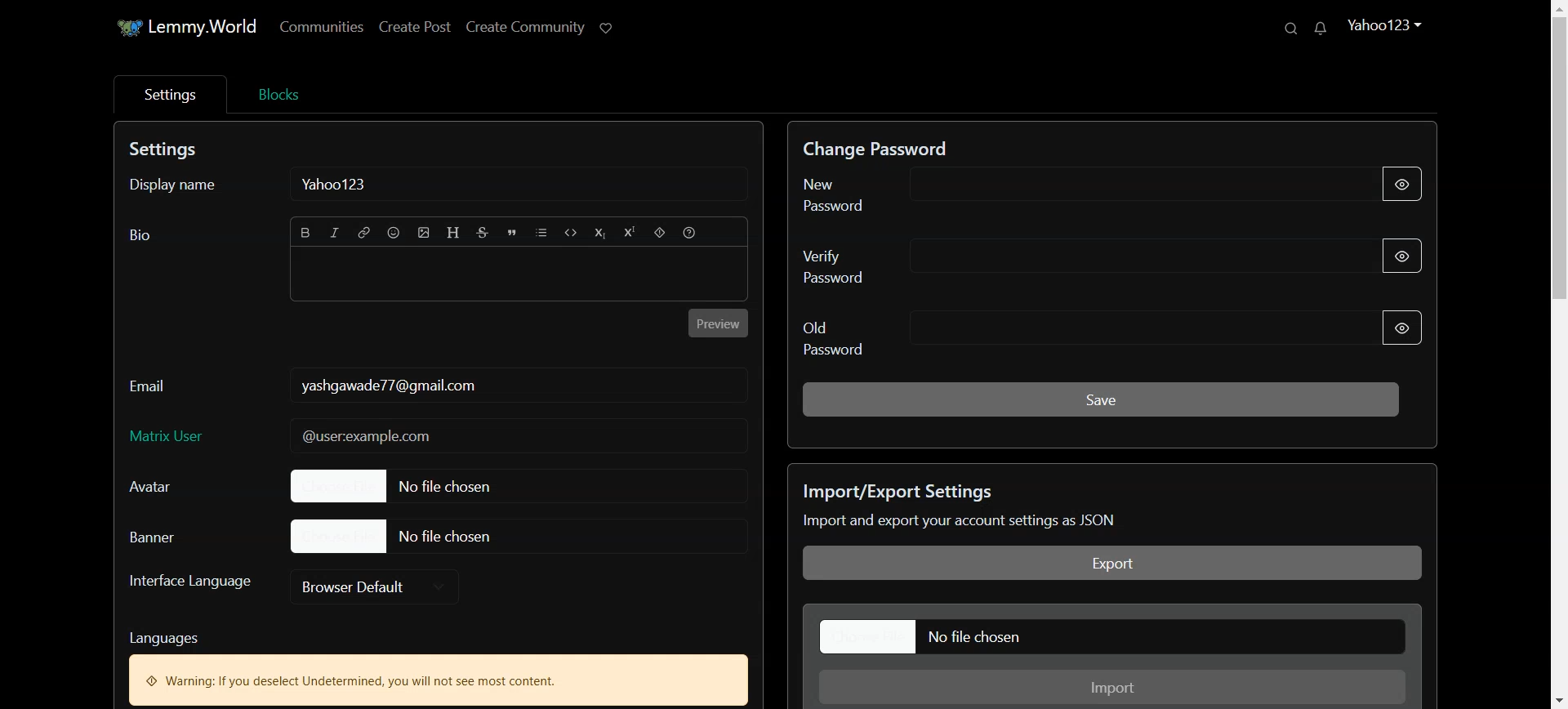  What do you see at coordinates (690, 234) in the screenshot?
I see `Formatting help` at bounding box center [690, 234].